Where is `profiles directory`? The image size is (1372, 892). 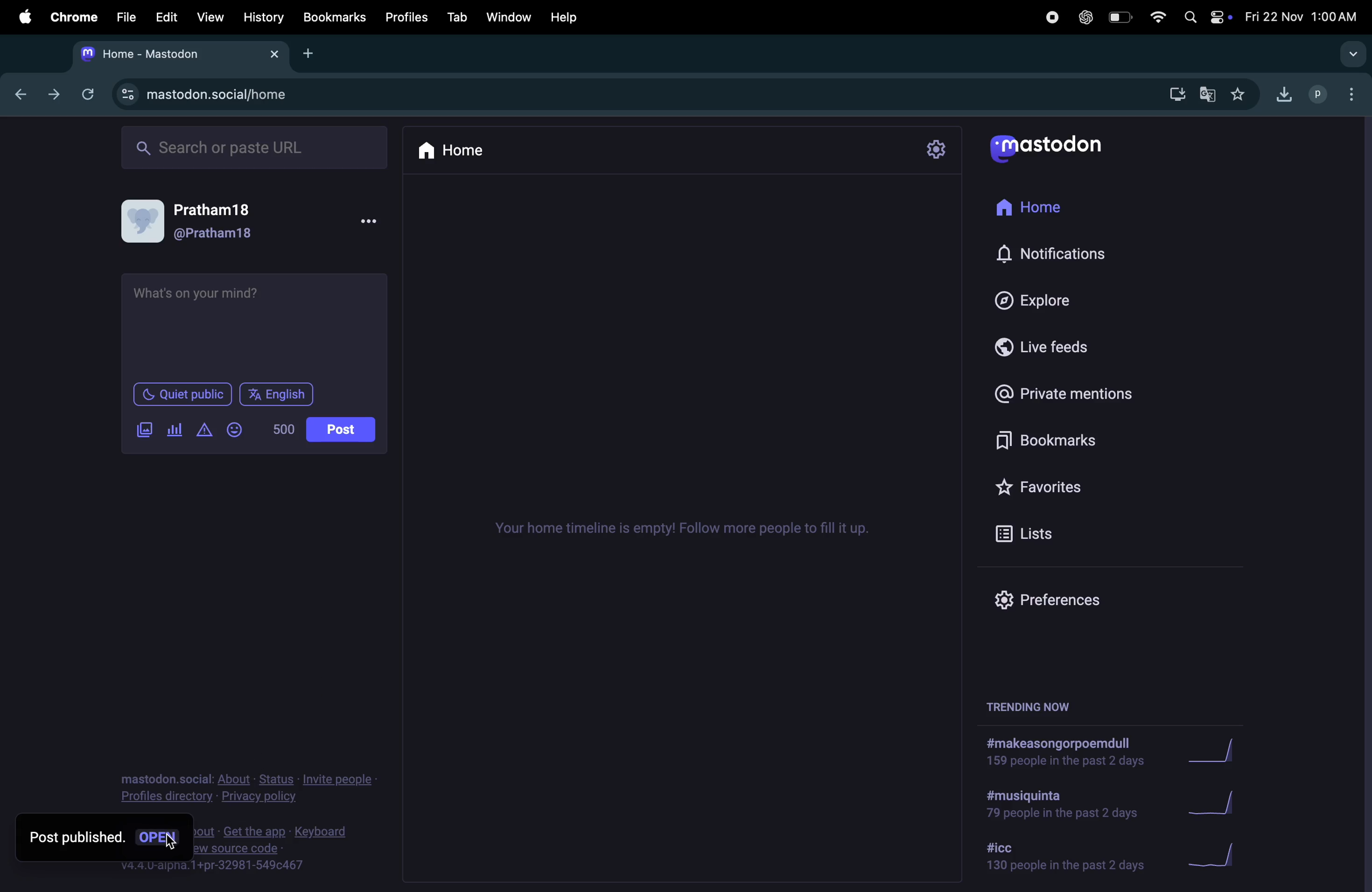
profiles directory is located at coordinates (168, 797).